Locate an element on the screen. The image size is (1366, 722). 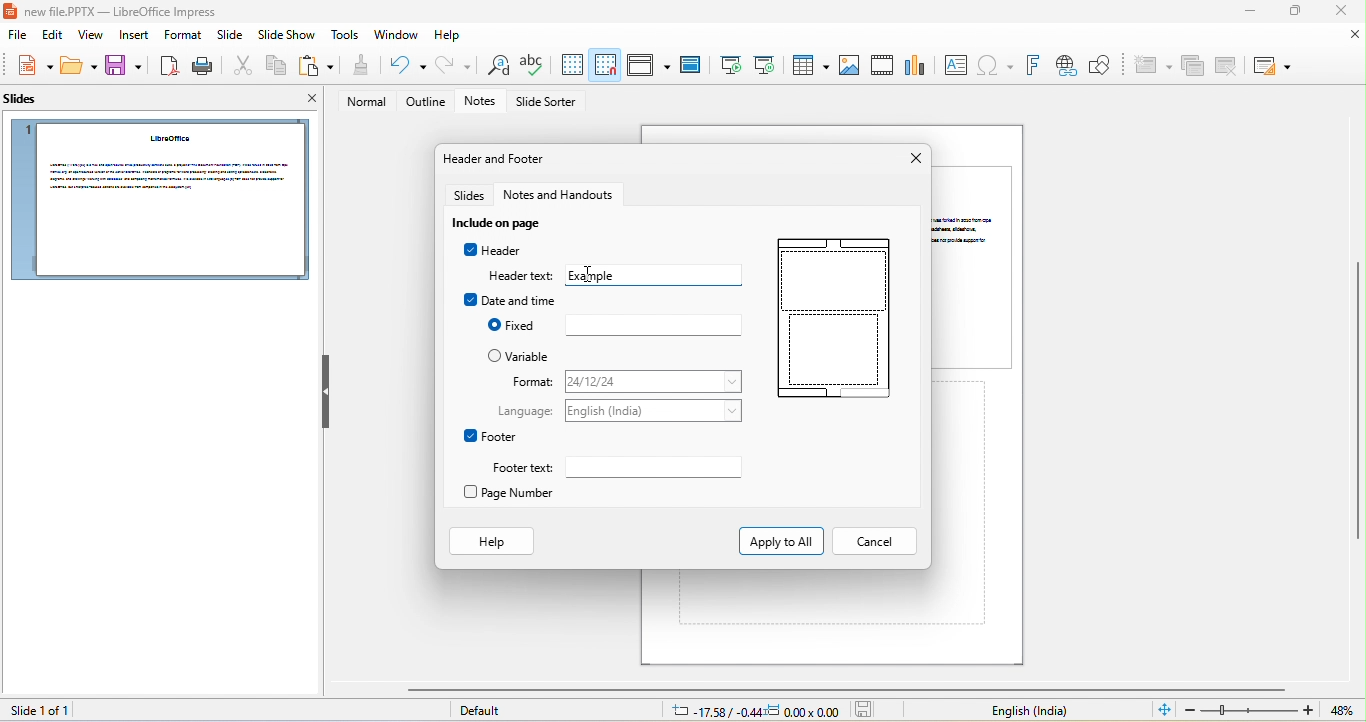
slide show is located at coordinates (287, 37).